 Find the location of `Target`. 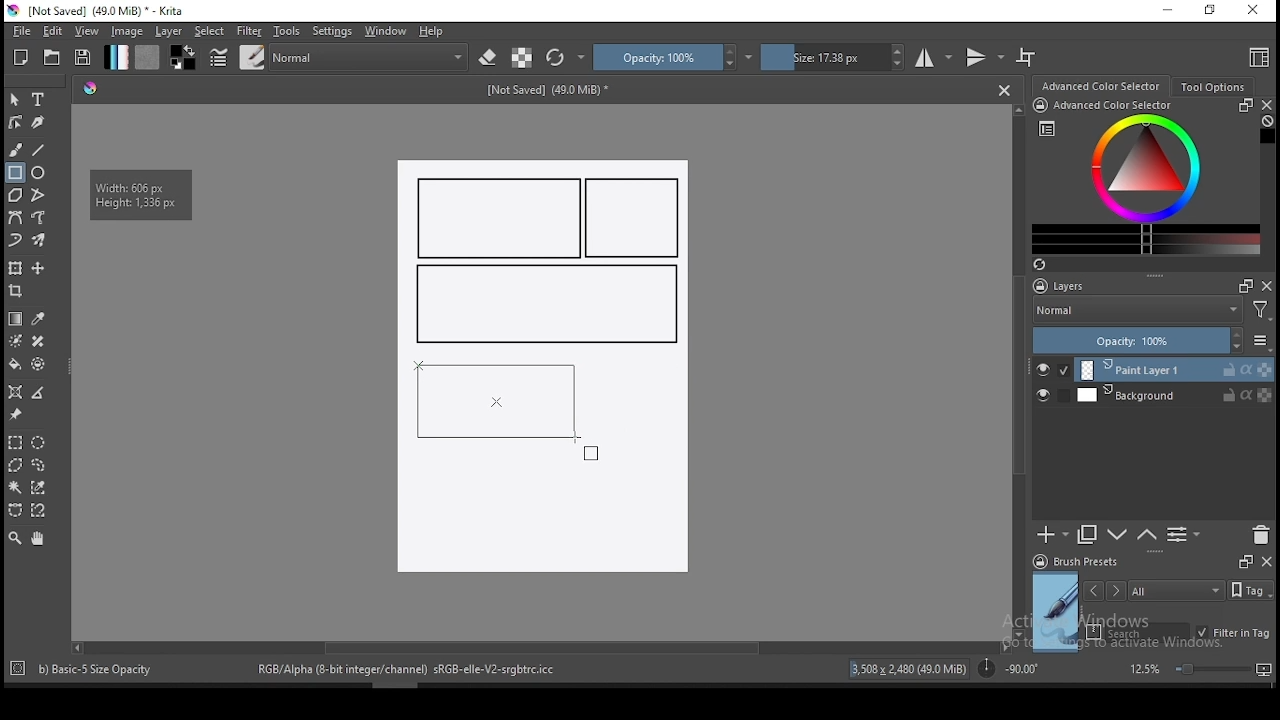

Target is located at coordinates (19, 669).